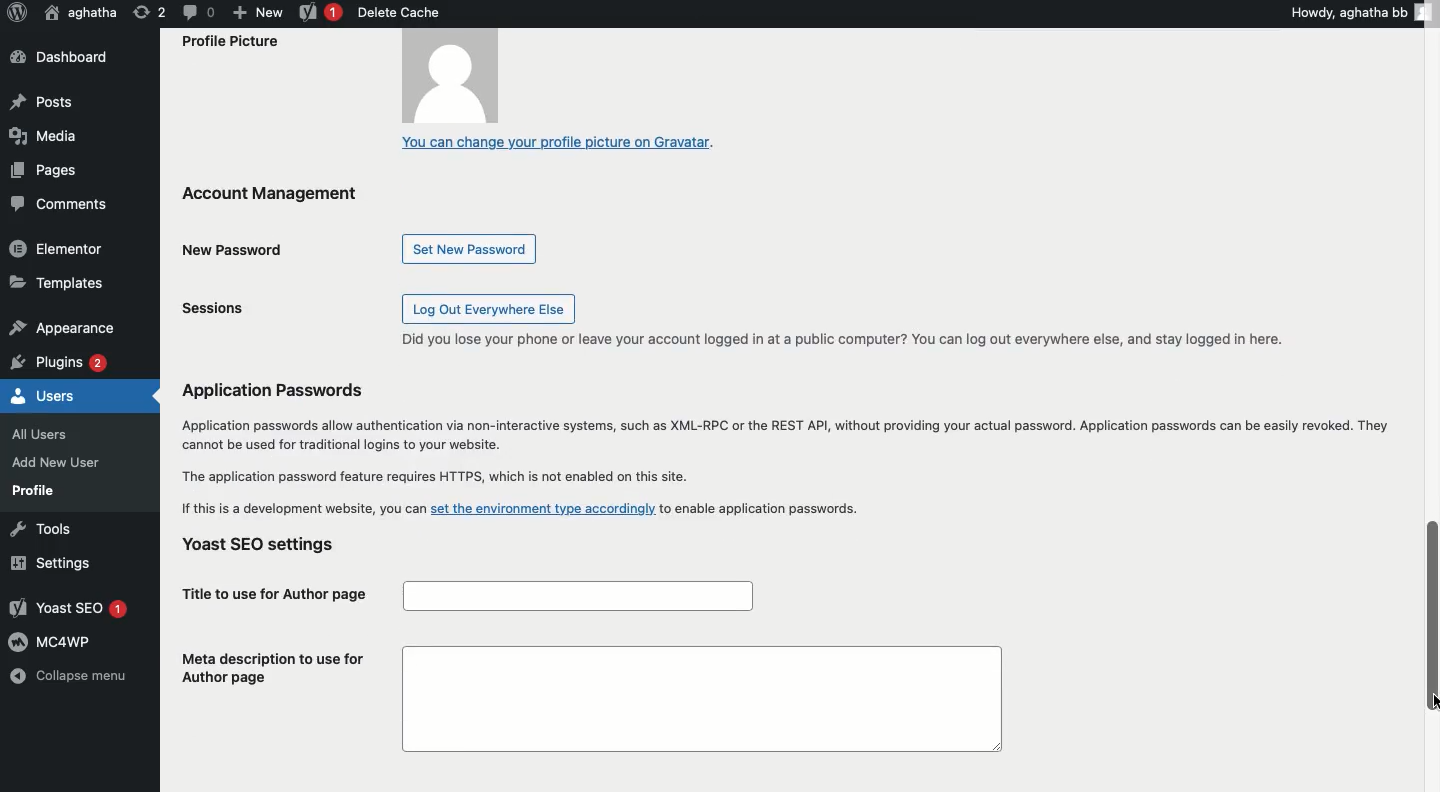 The width and height of the screenshot is (1440, 792). Describe the element at coordinates (58, 247) in the screenshot. I see `Elementor` at that location.